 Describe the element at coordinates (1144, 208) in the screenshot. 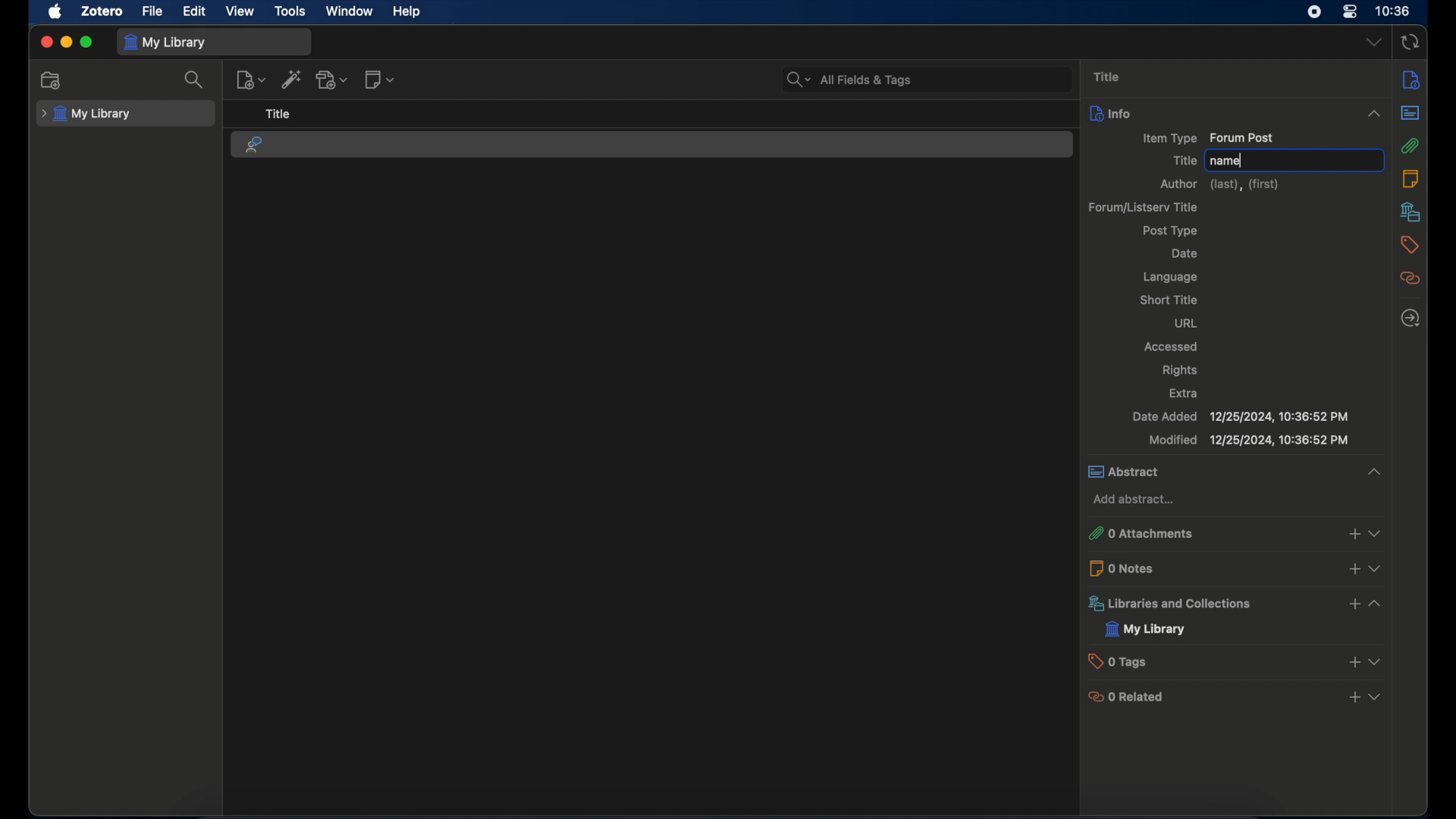

I see `forum/listerv` at that location.